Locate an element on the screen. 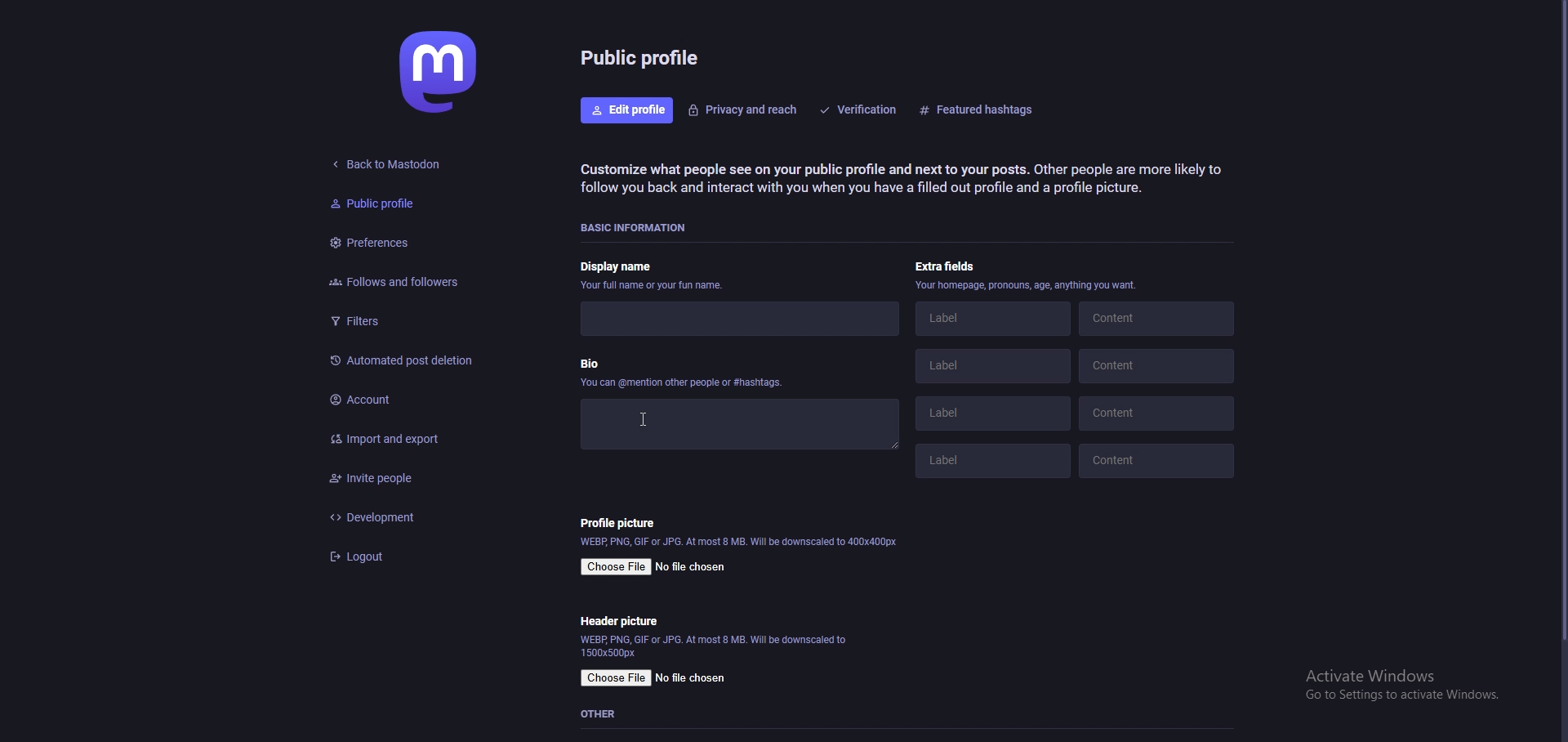  label is located at coordinates (993, 318).